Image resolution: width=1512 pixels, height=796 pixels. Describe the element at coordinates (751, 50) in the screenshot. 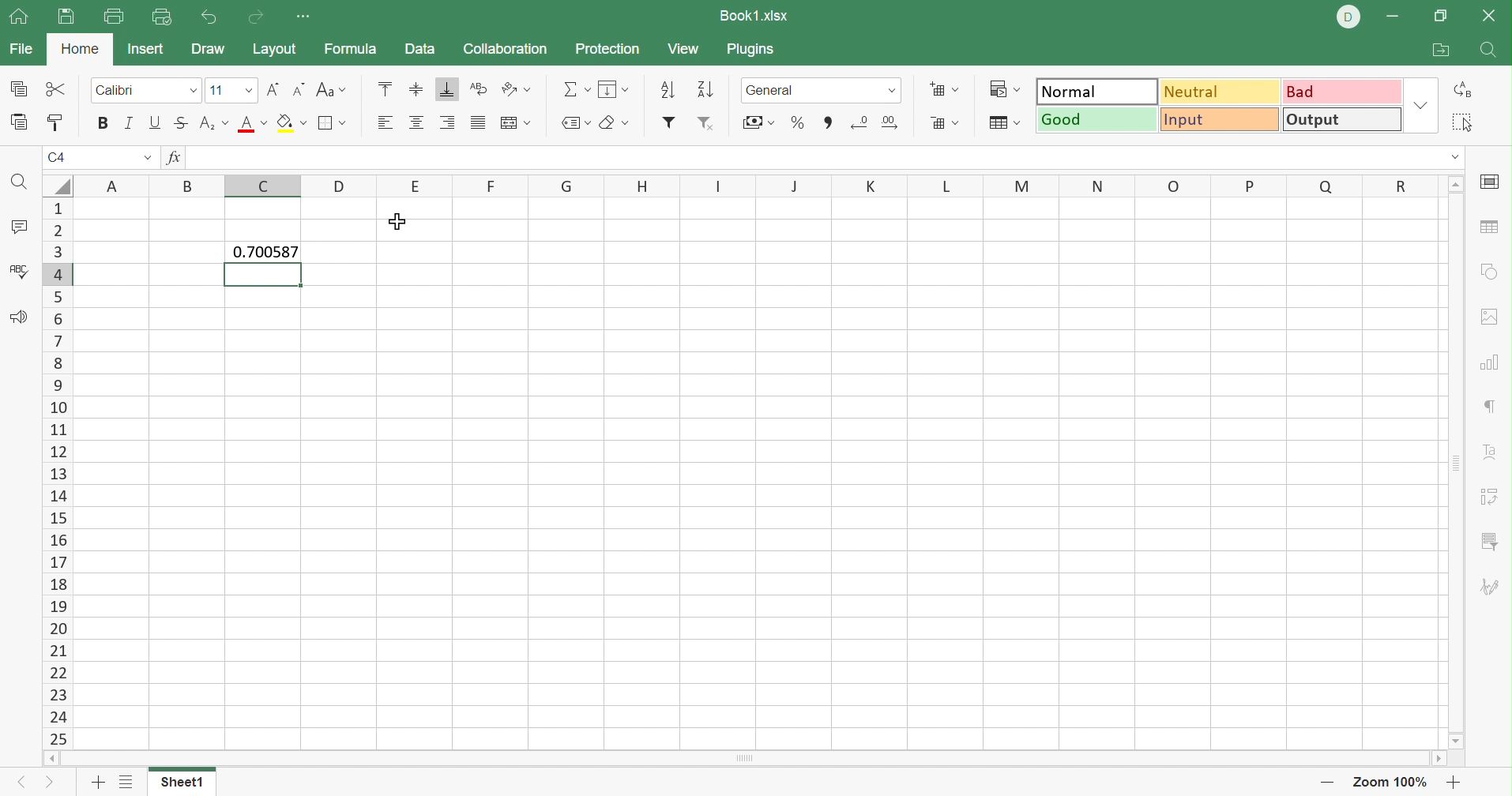

I see `Plugins` at that location.